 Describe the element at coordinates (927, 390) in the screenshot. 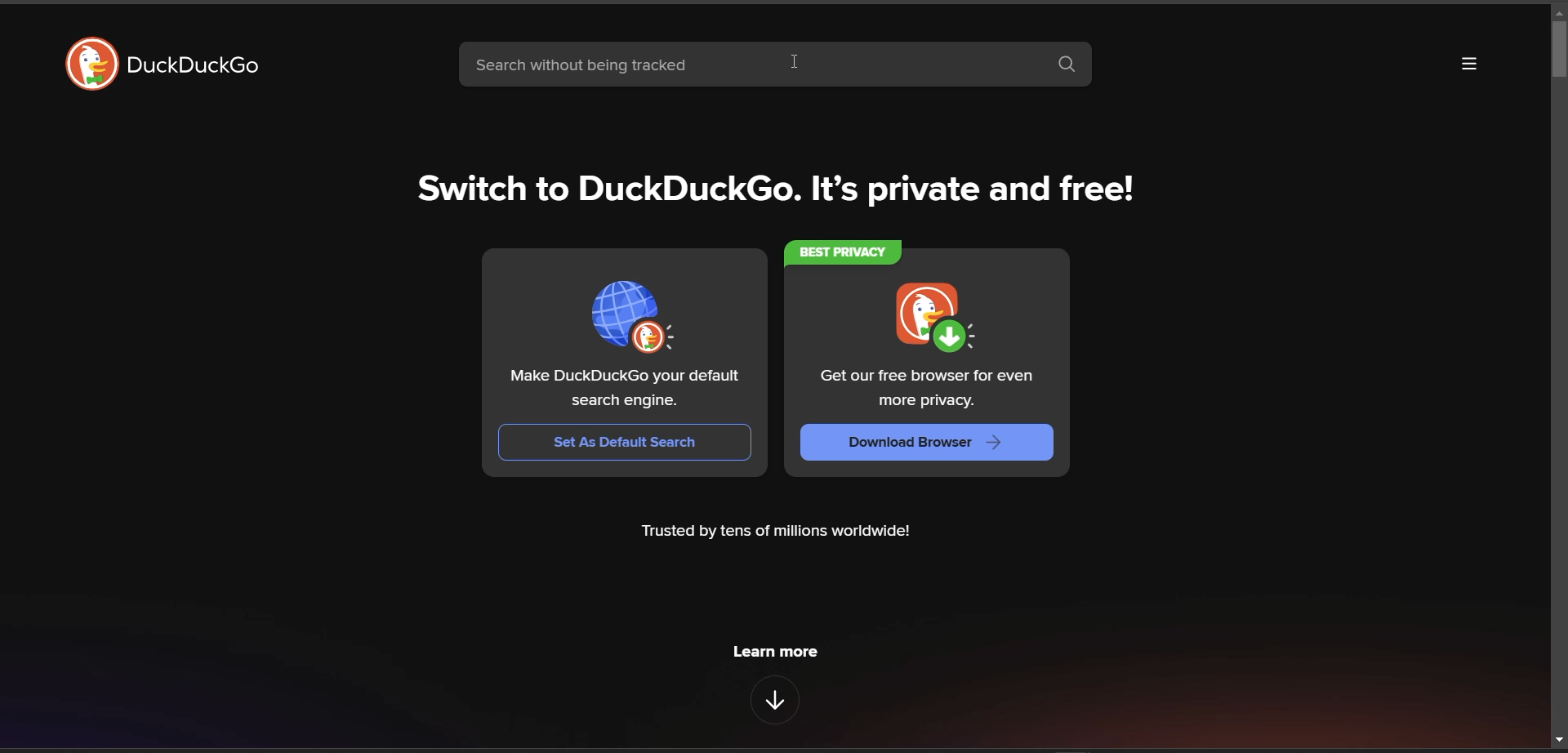

I see `text` at that location.